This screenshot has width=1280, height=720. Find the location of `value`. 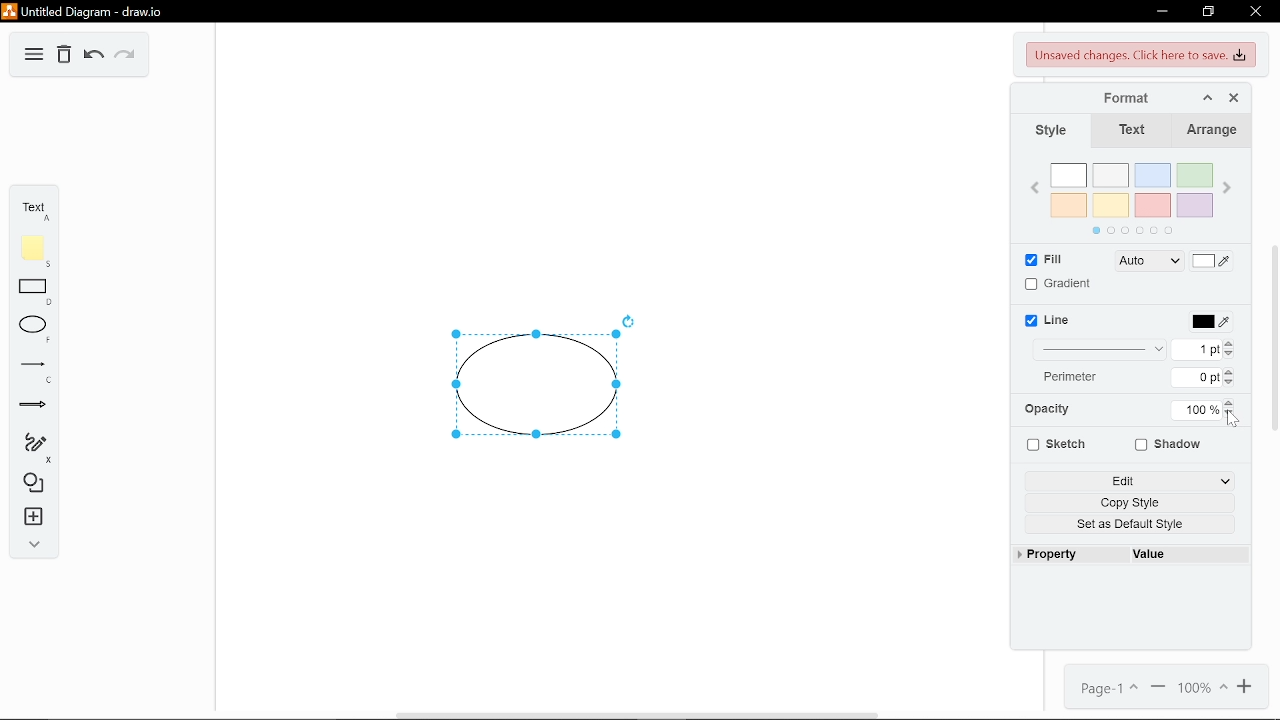

value is located at coordinates (1187, 555).